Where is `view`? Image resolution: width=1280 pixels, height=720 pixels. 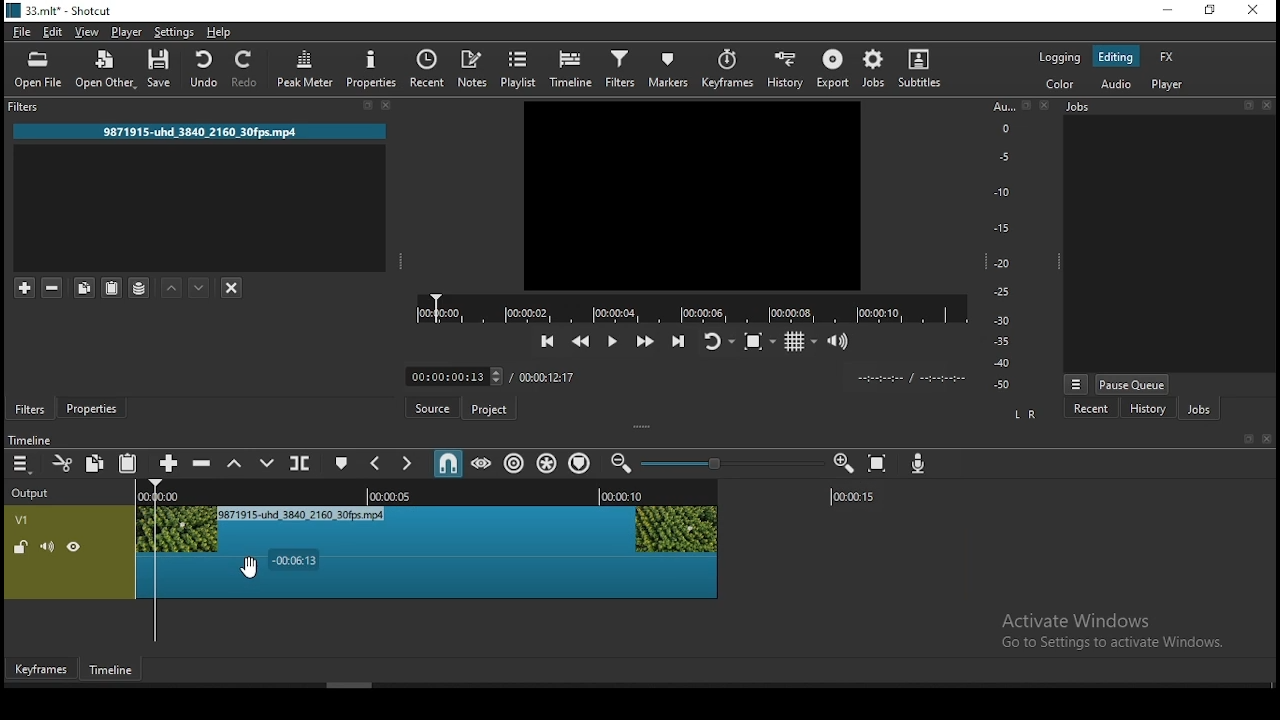 view is located at coordinates (91, 32).